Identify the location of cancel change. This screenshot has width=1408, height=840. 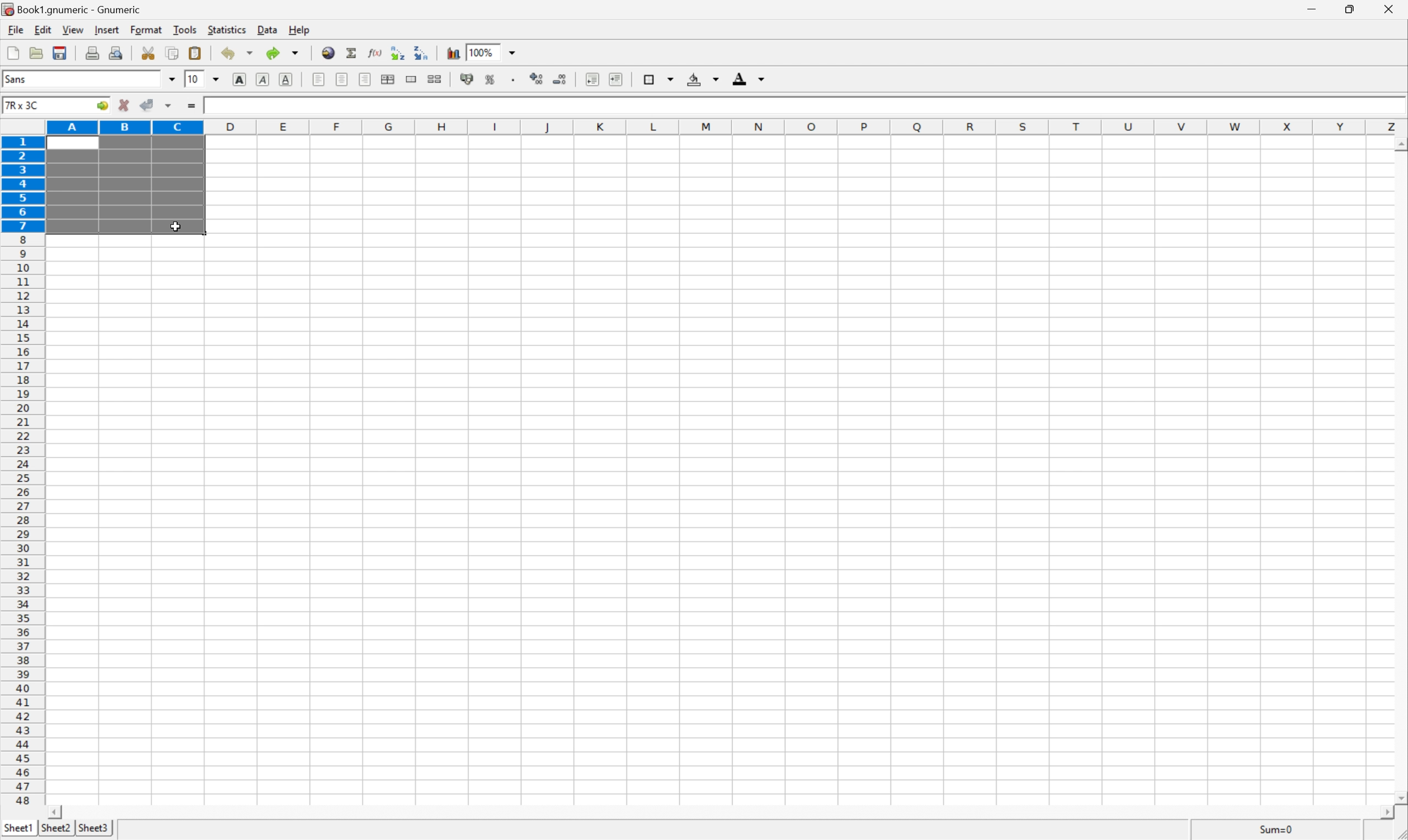
(124, 106).